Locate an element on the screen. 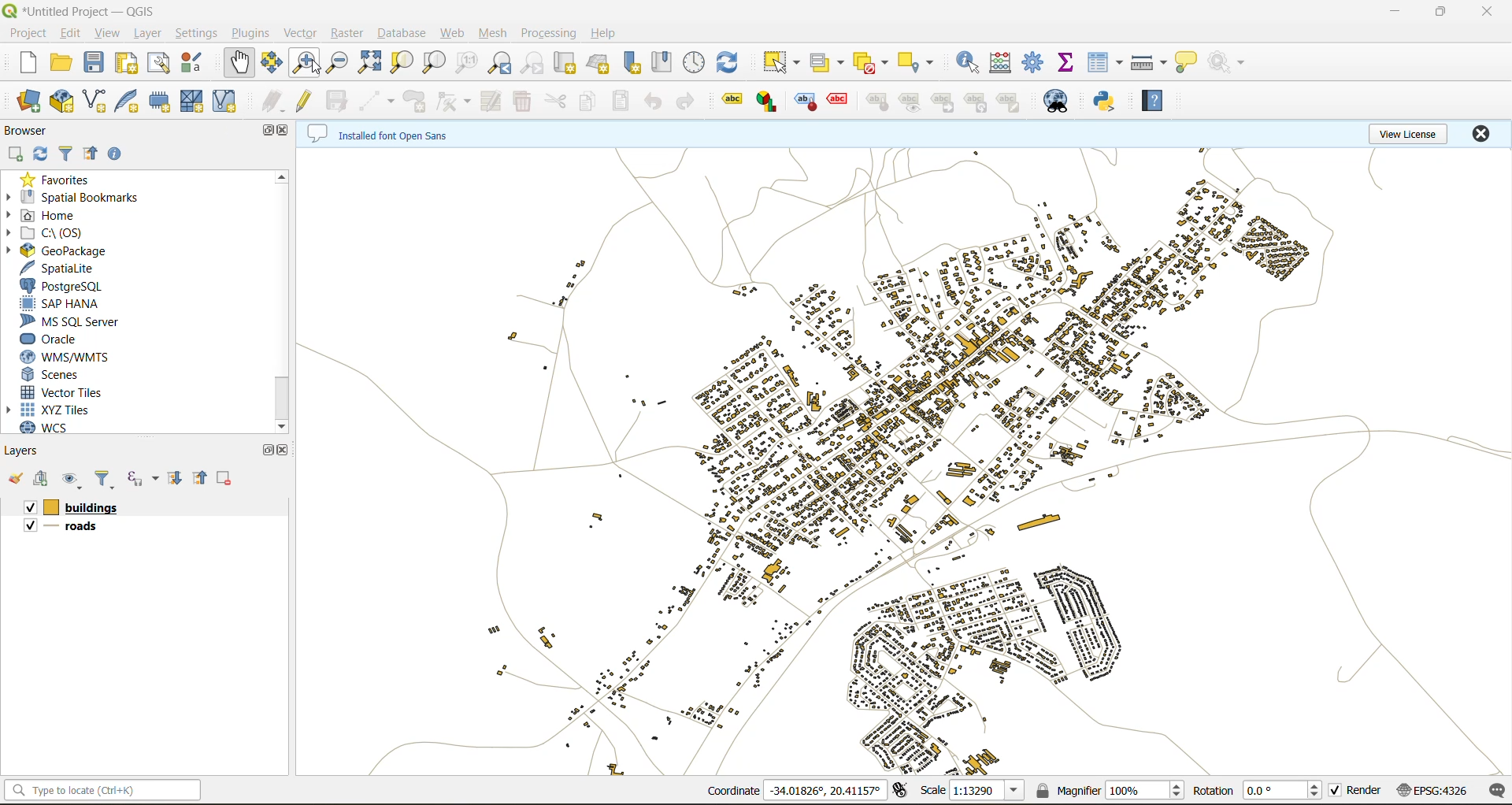 The height and width of the screenshot is (805, 1512). Add Charts is located at coordinates (769, 104).